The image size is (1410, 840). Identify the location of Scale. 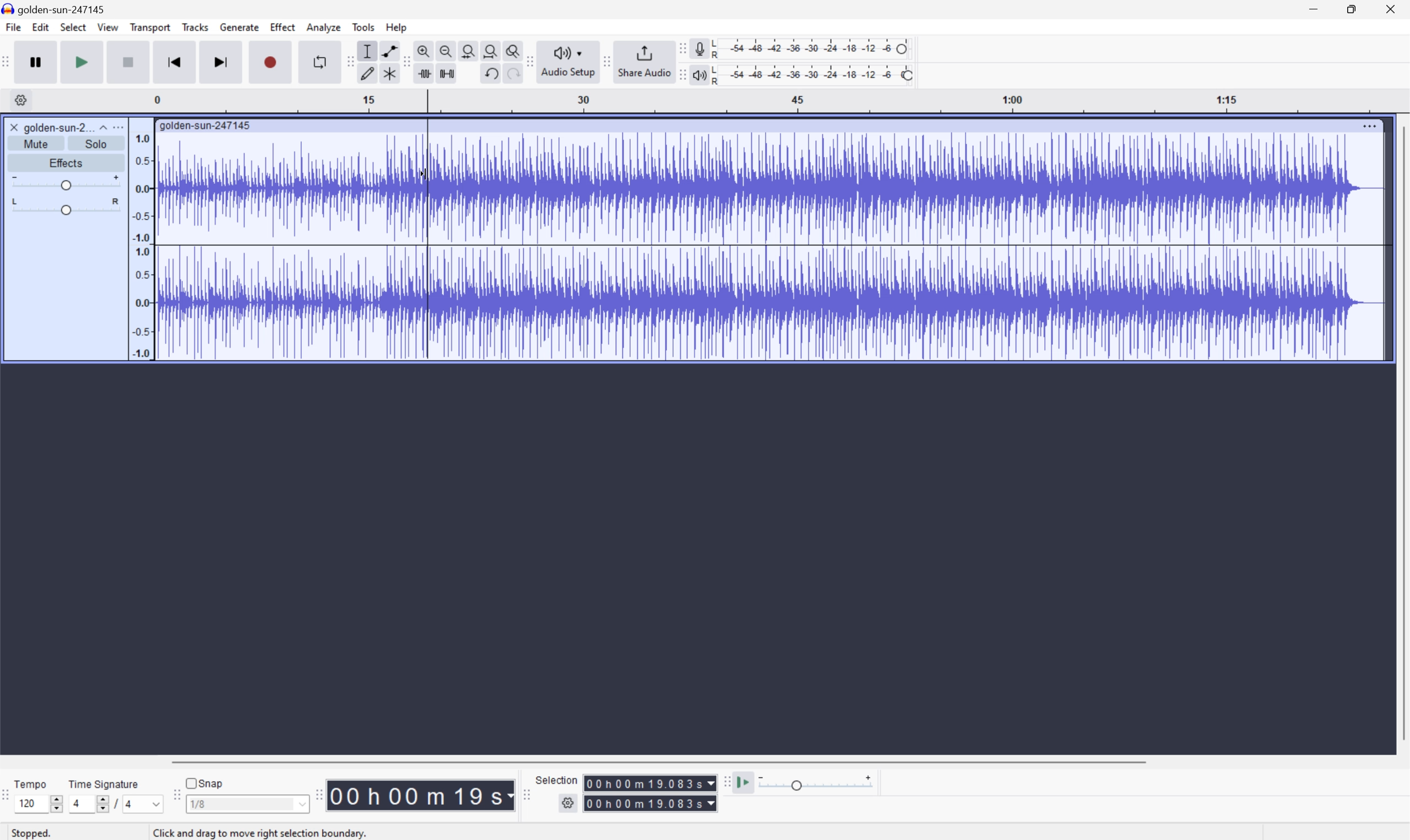
(782, 101).